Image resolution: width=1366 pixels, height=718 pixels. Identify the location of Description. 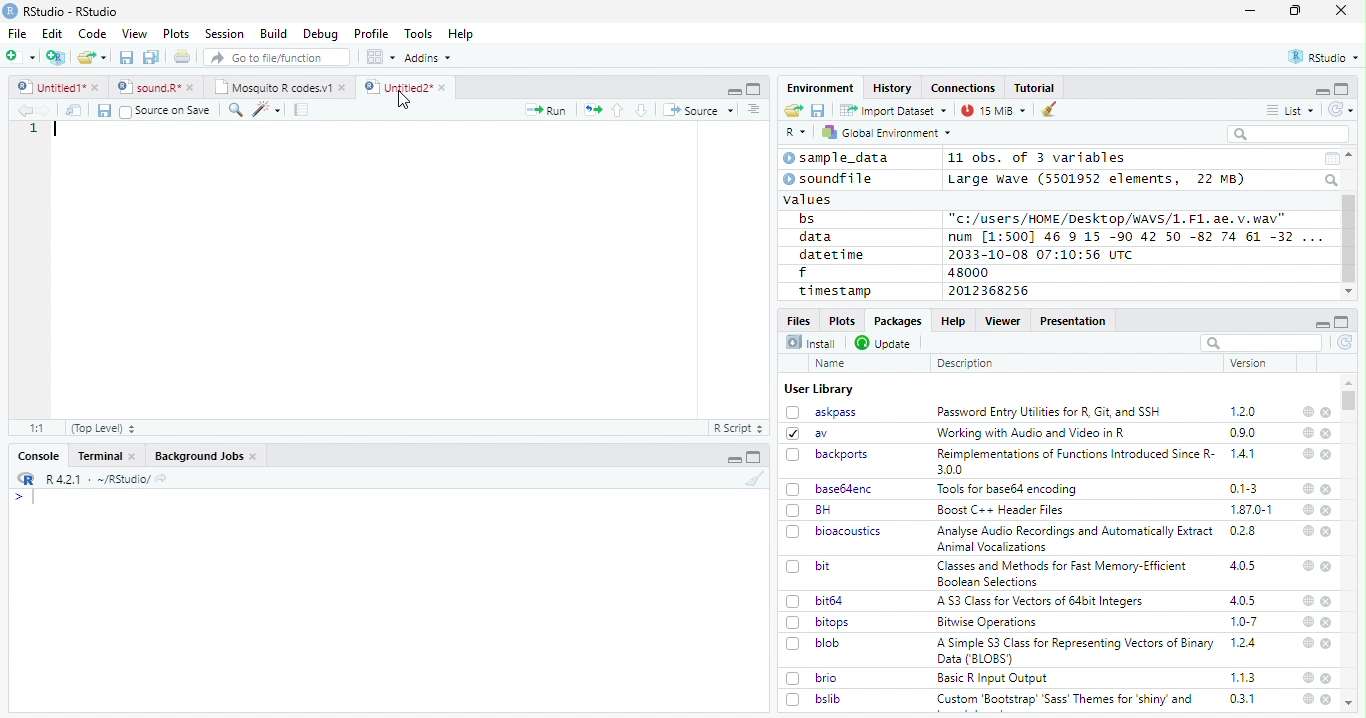
(966, 363).